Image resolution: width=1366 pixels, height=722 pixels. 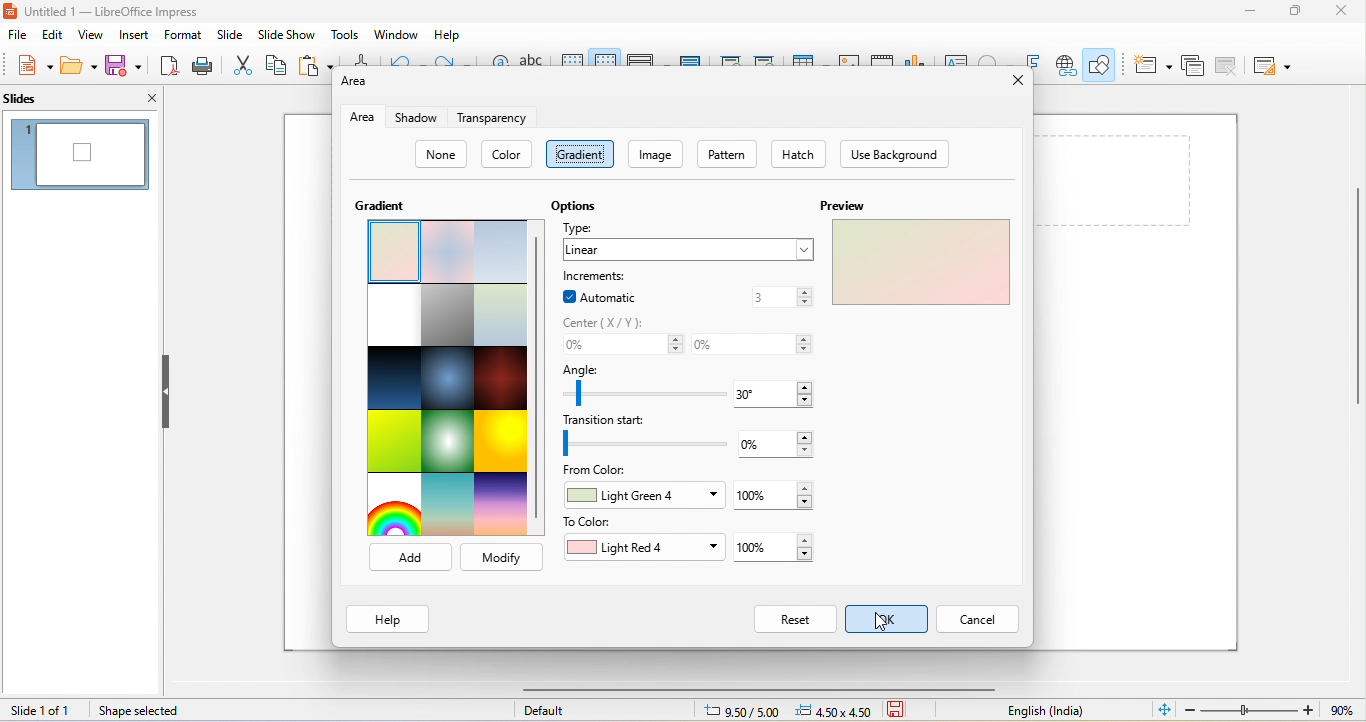 What do you see at coordinates (79, 155) in the screenshot?
I see `slide in slide pane` at bounding box center [79, 155].